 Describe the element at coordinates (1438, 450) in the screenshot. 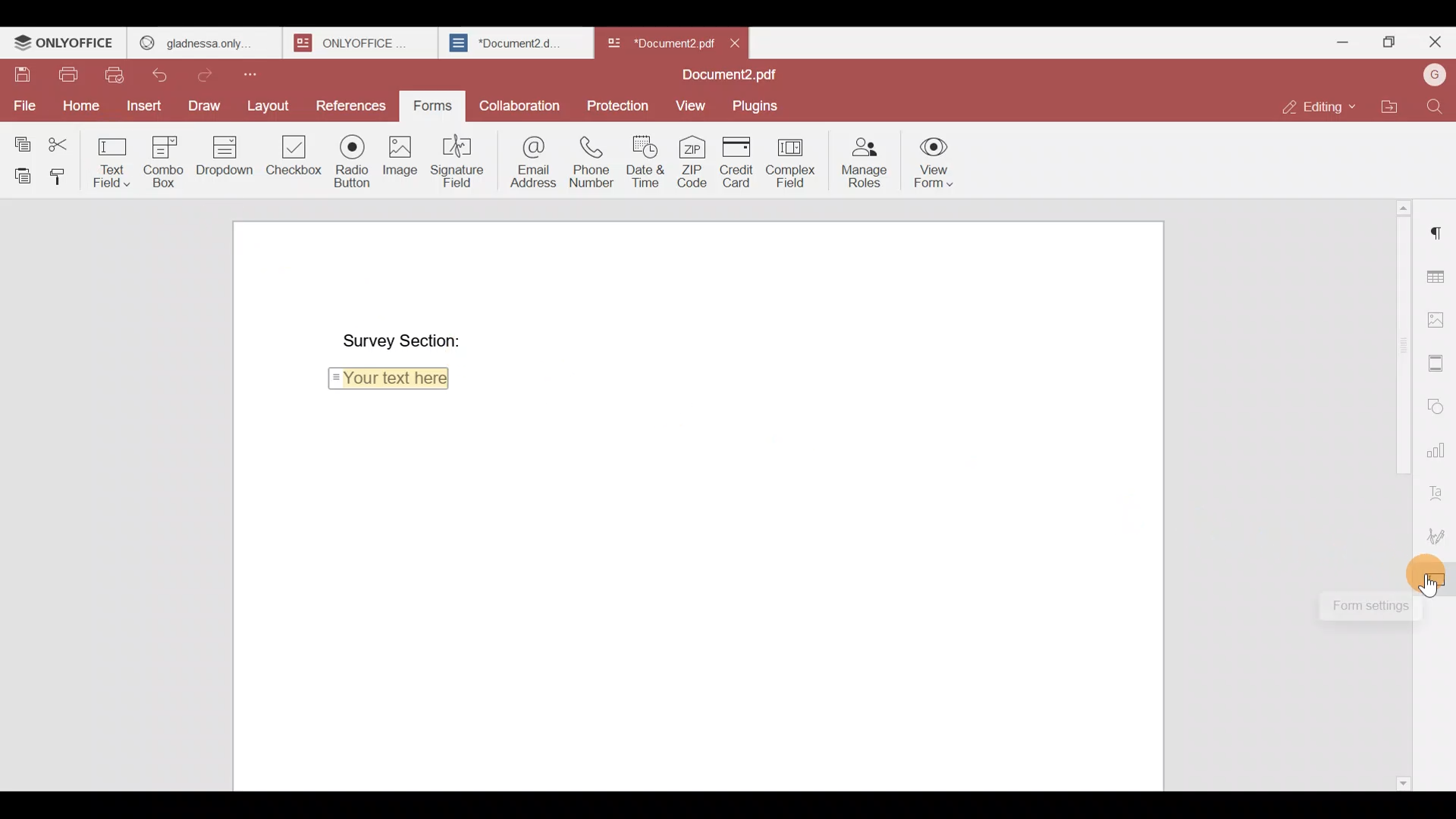

I see `Chart settings` at that location.